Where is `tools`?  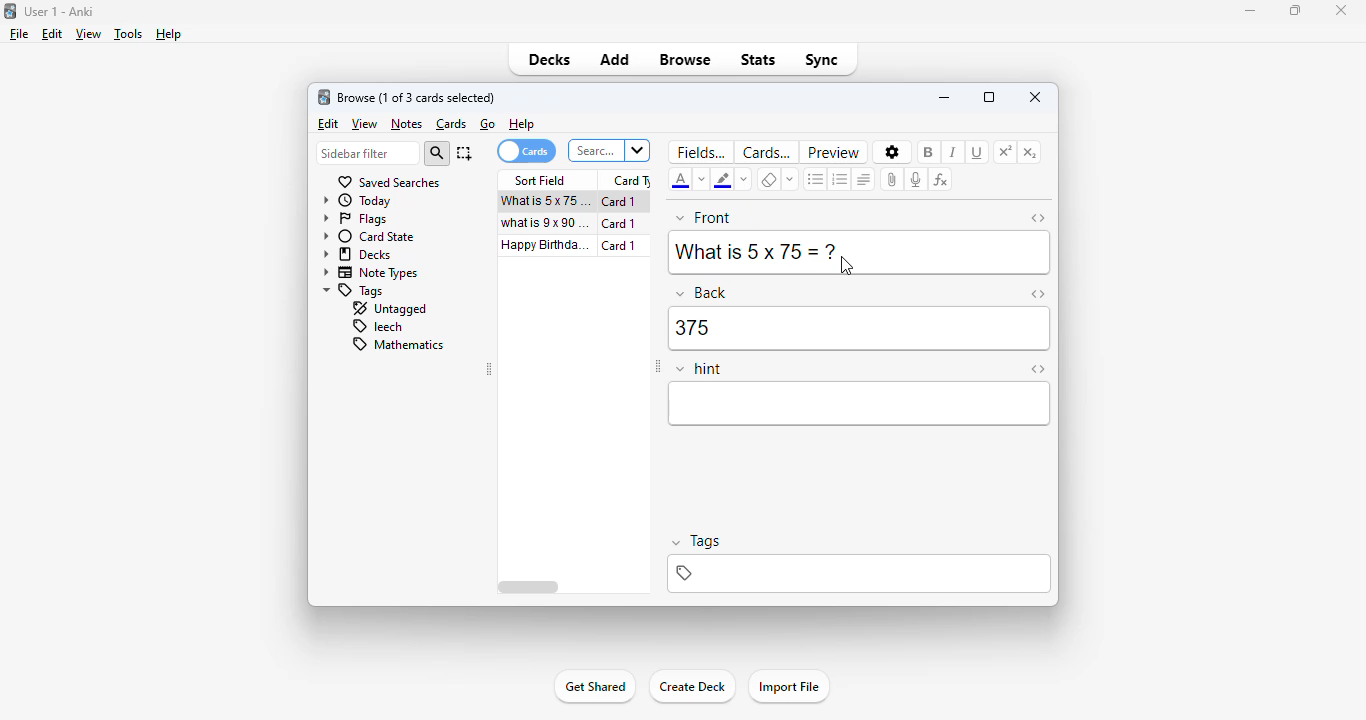 tools is located at coordinates (130, 34).